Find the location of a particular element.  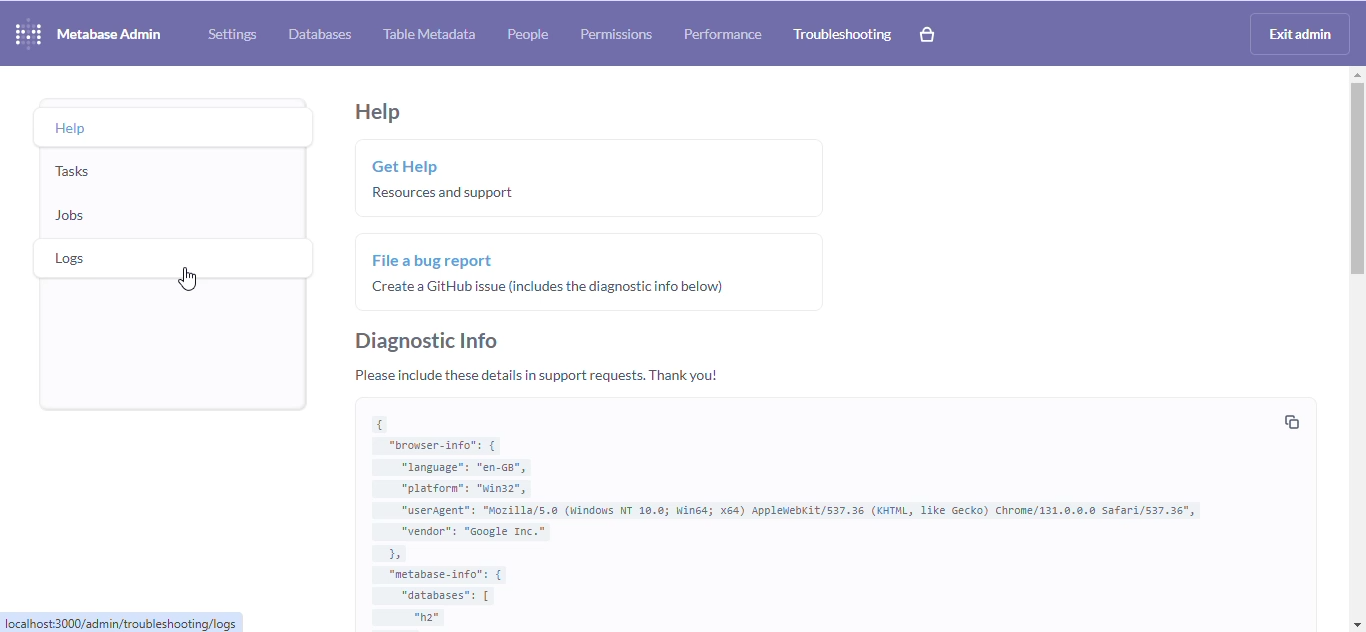

vertical scroll bar is located at coordinates (1353, 178).